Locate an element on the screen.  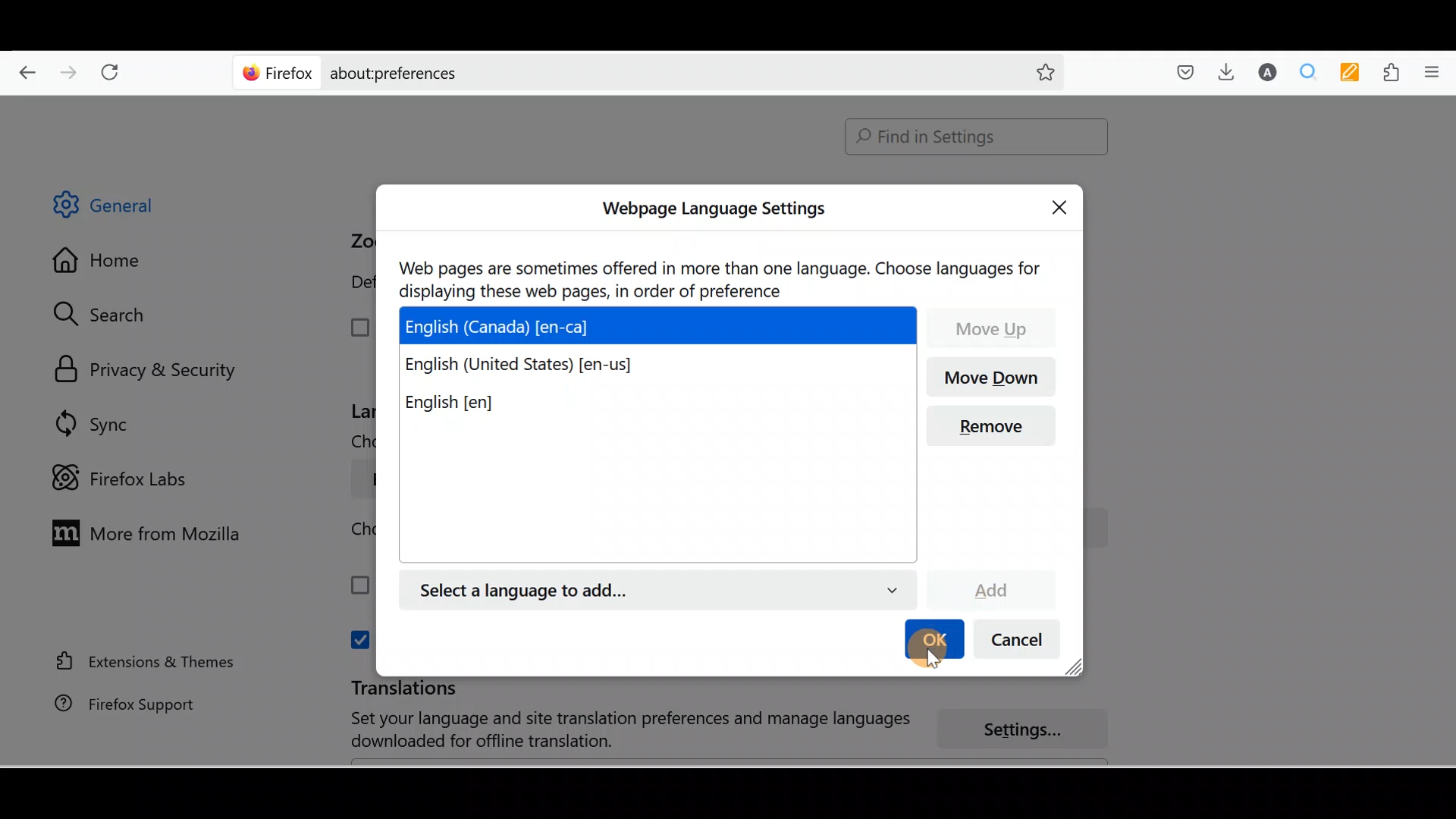
Sync is located at coordinates (95, 423).